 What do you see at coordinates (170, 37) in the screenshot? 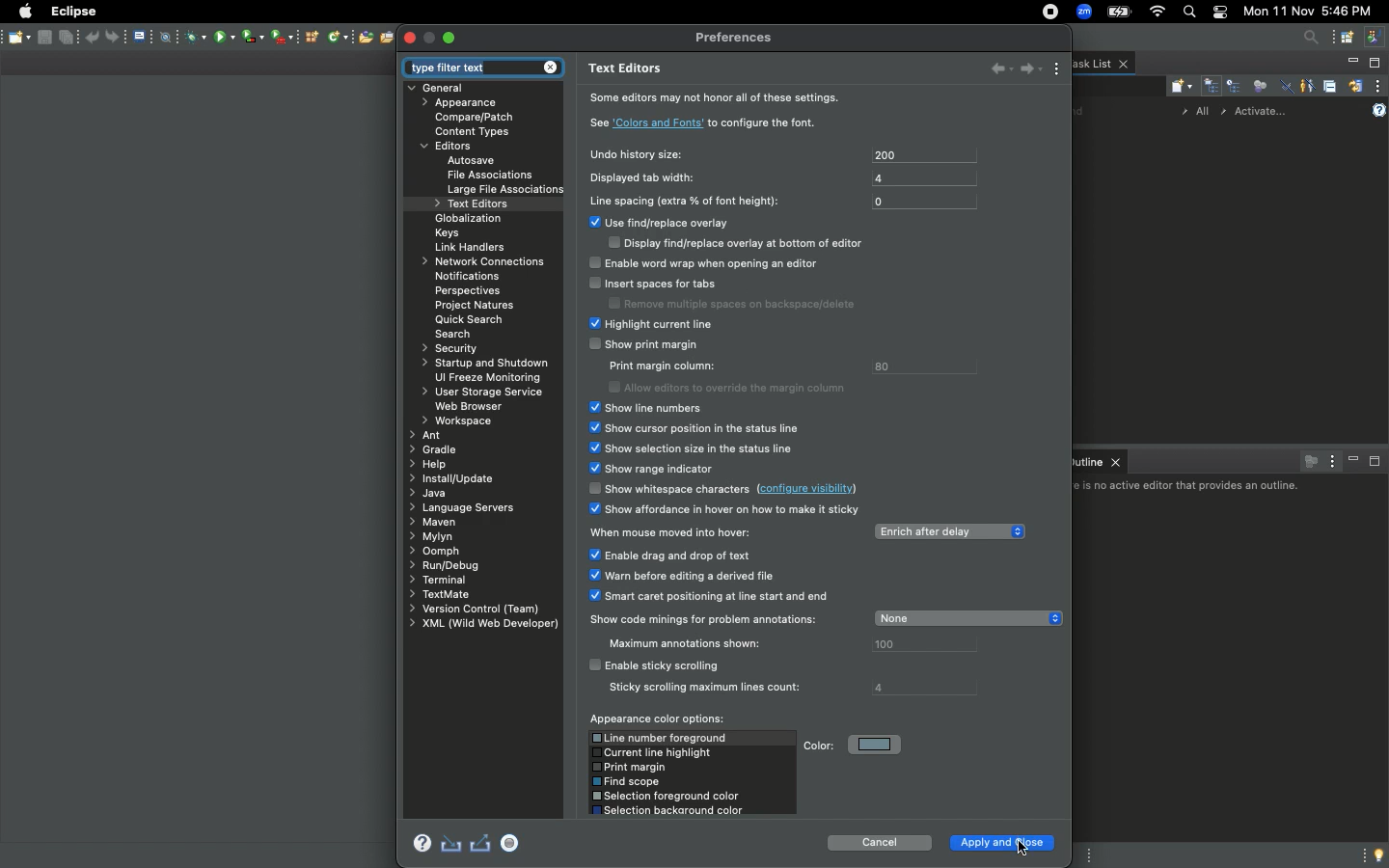
I see `Compass` at bounding box center [170, 37].